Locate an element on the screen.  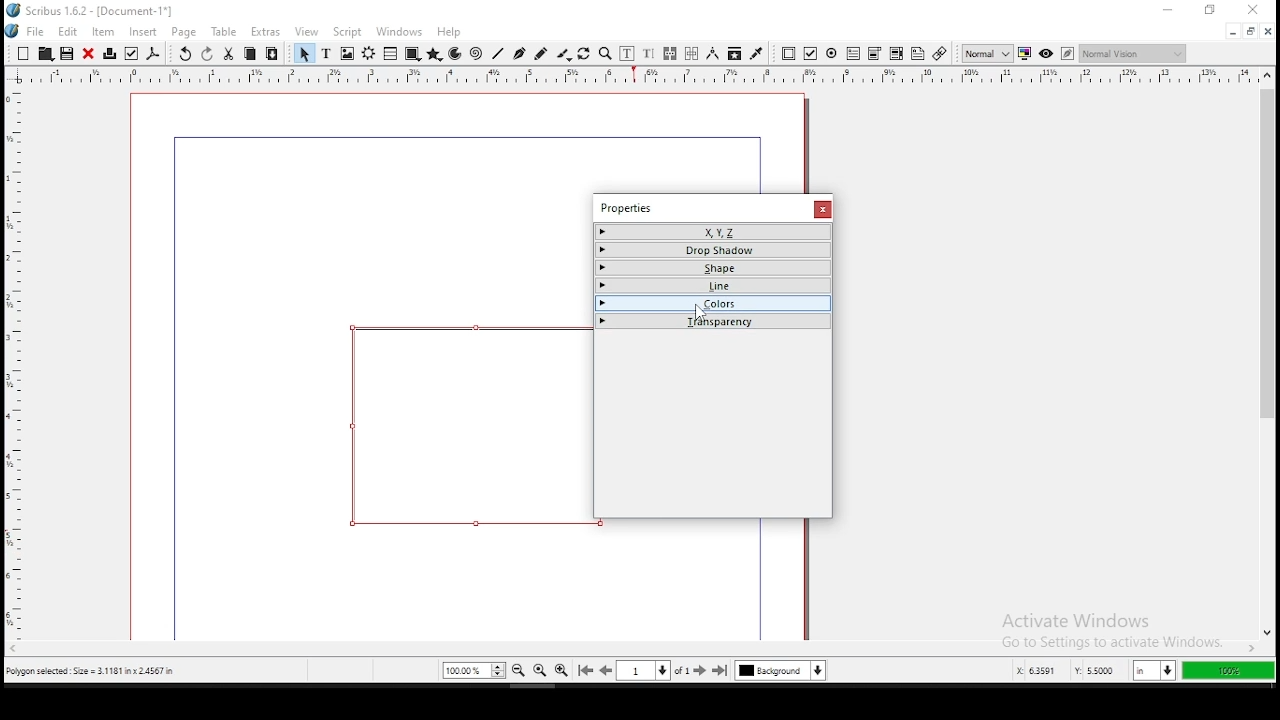
render frame is located at coordinates (368, 54).